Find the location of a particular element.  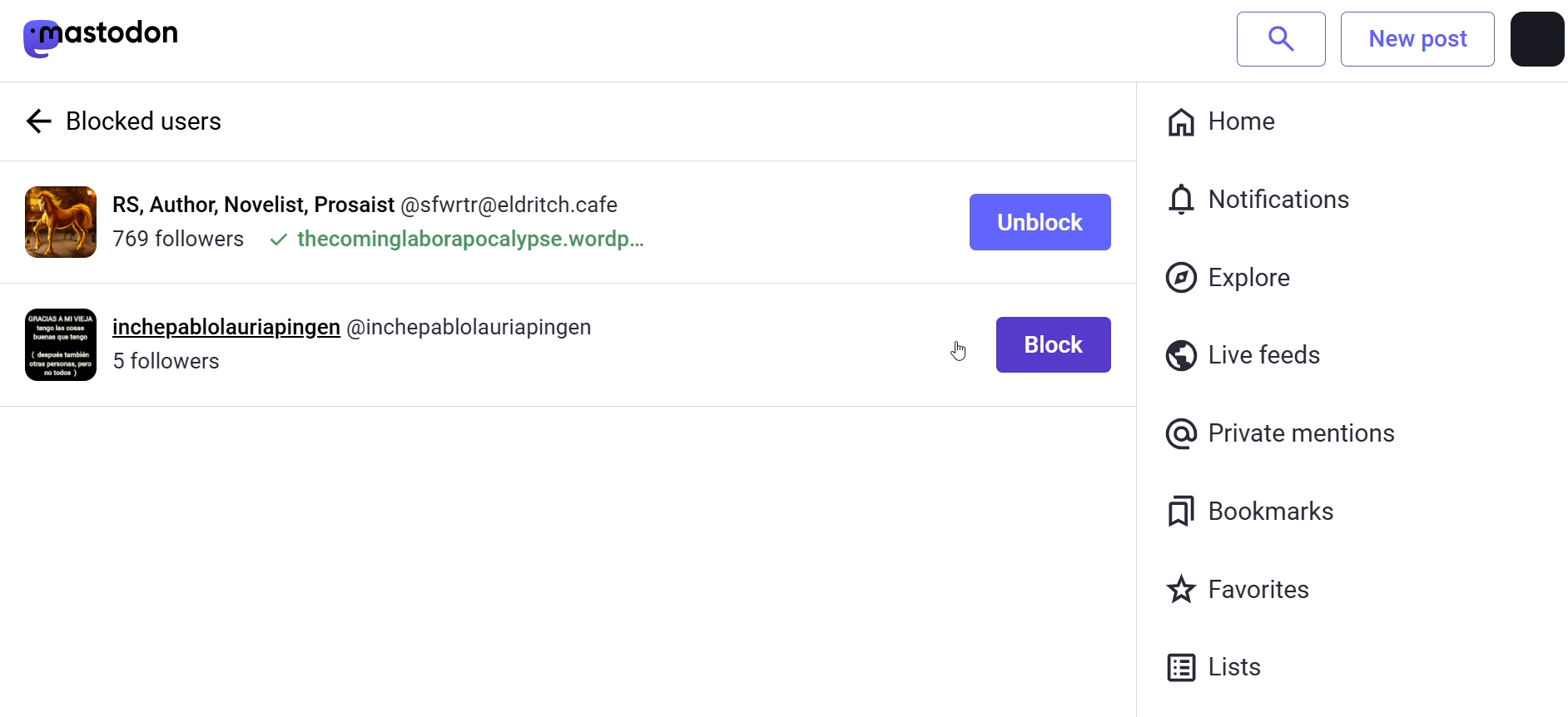

blocked users is located at coordinates (167, 122).